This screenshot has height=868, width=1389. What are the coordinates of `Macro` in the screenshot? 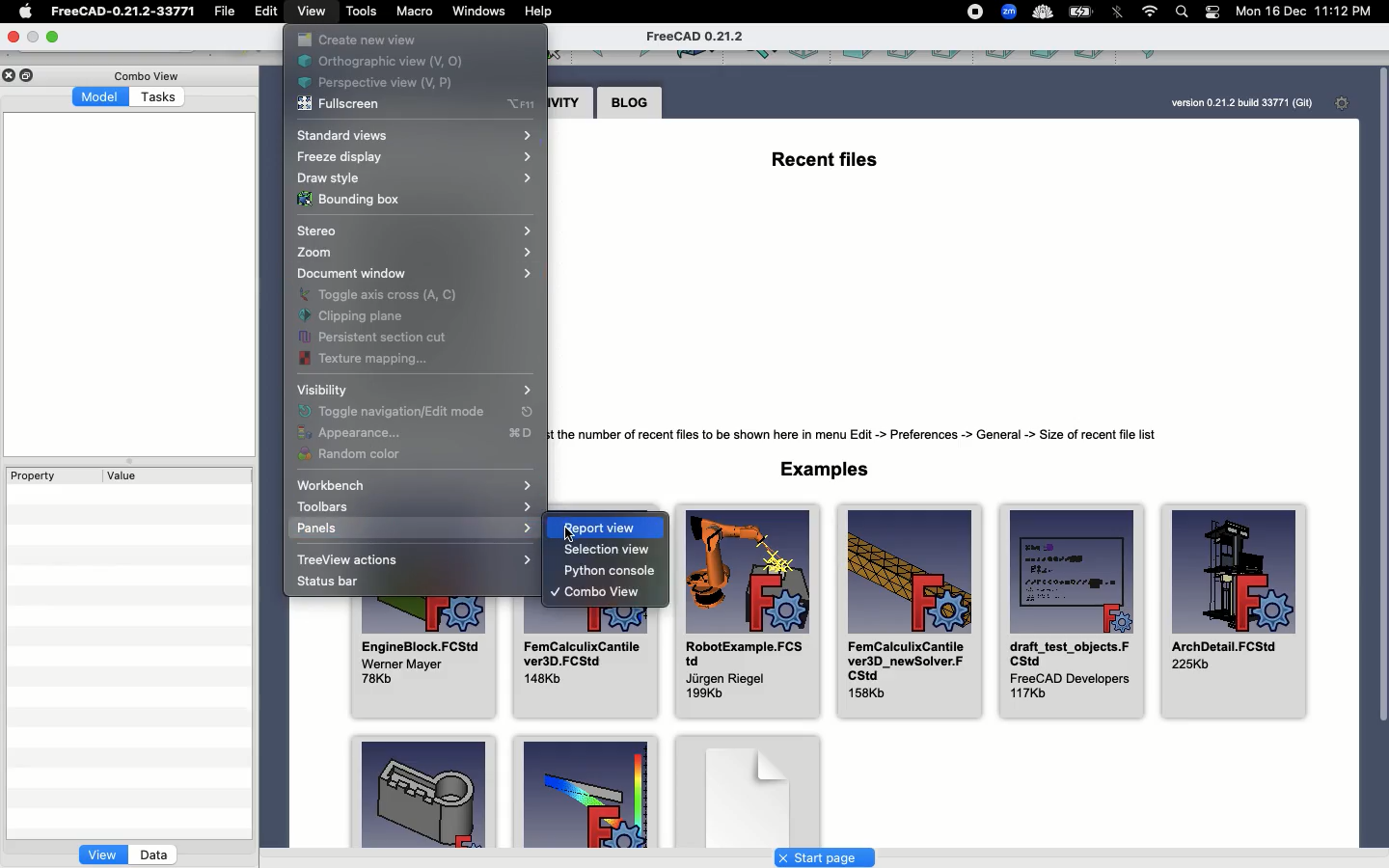 It's located at (413, 14).